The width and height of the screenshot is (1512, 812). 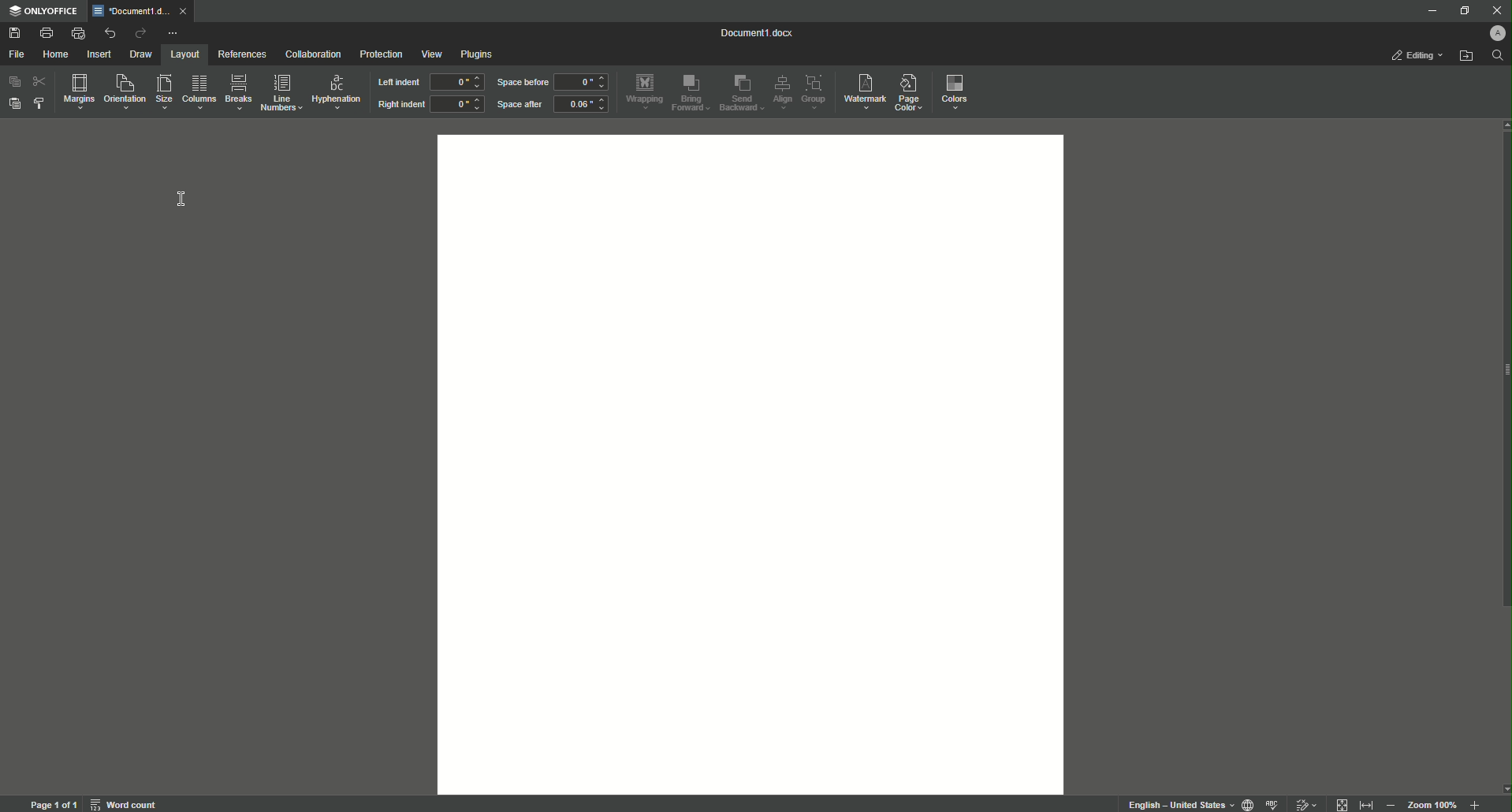 What do you see at coordinates (17, 54) in the screenshot?
I see `File` at bounding box center [17, 54].